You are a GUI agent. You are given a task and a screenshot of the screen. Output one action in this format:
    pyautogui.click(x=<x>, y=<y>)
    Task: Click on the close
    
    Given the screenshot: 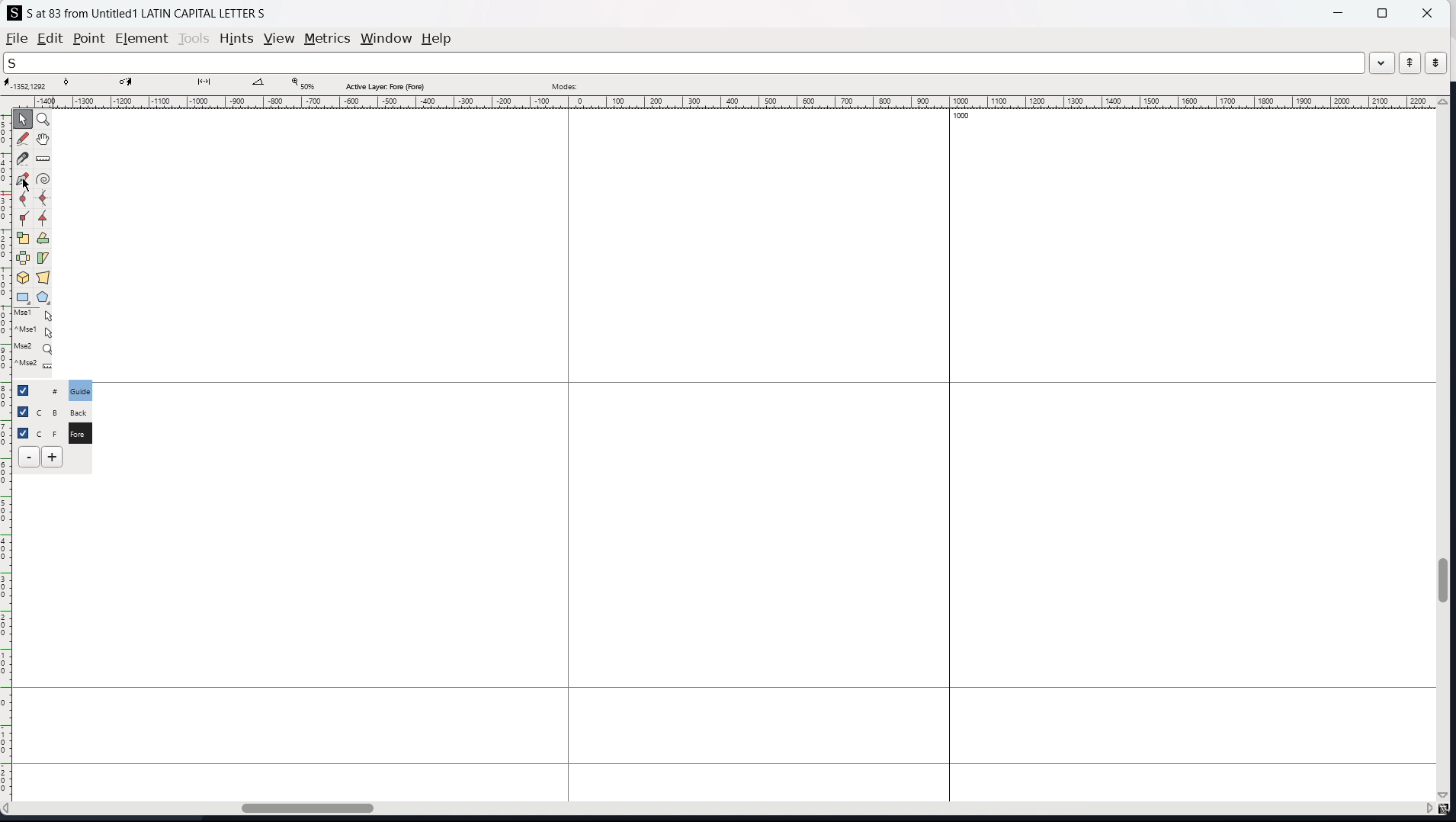 What is the action you would take?
    pyautogui.click(x=1426, y=12)
    